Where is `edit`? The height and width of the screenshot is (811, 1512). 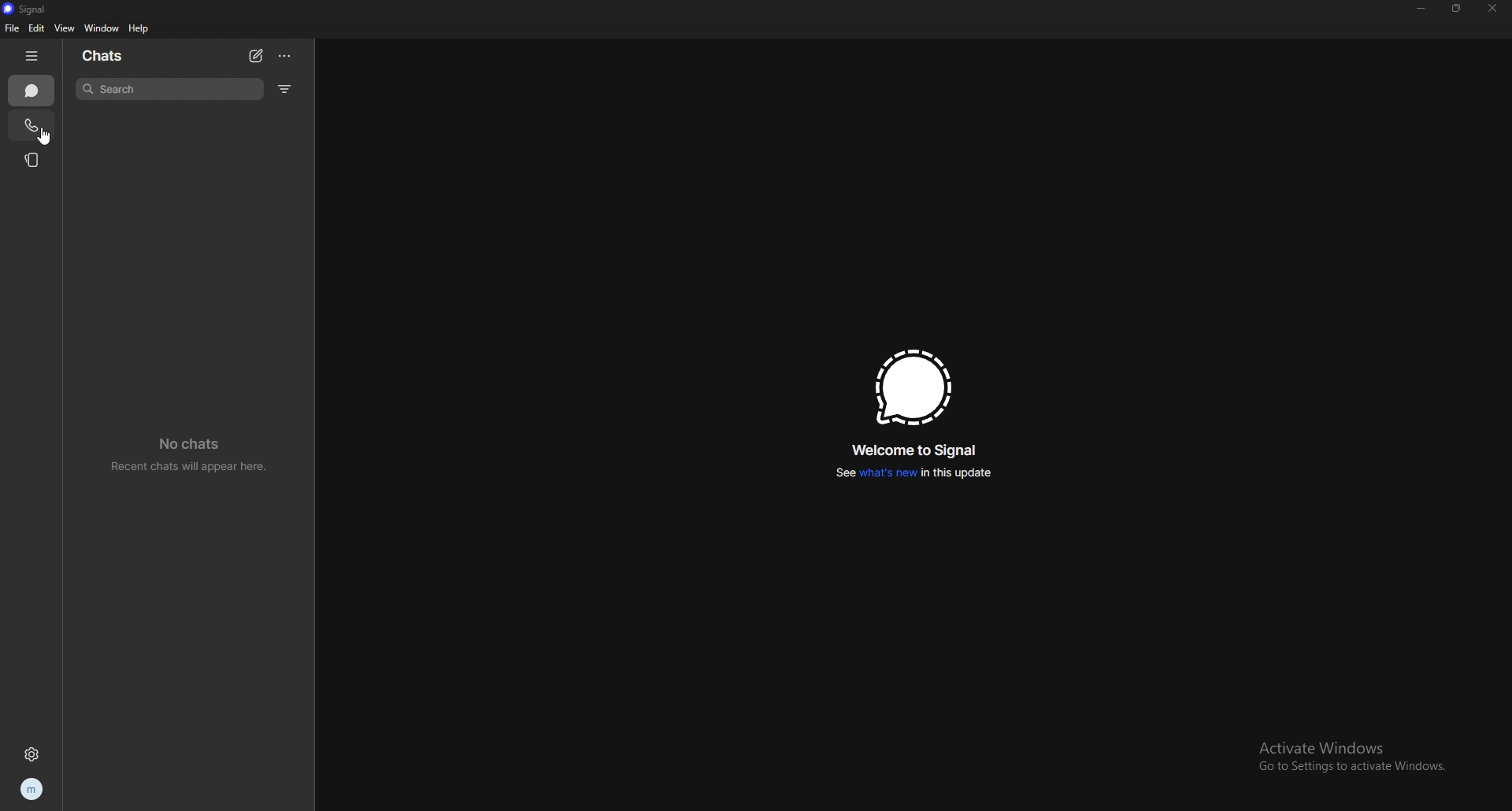
edit is located at coordinates (37, 28).